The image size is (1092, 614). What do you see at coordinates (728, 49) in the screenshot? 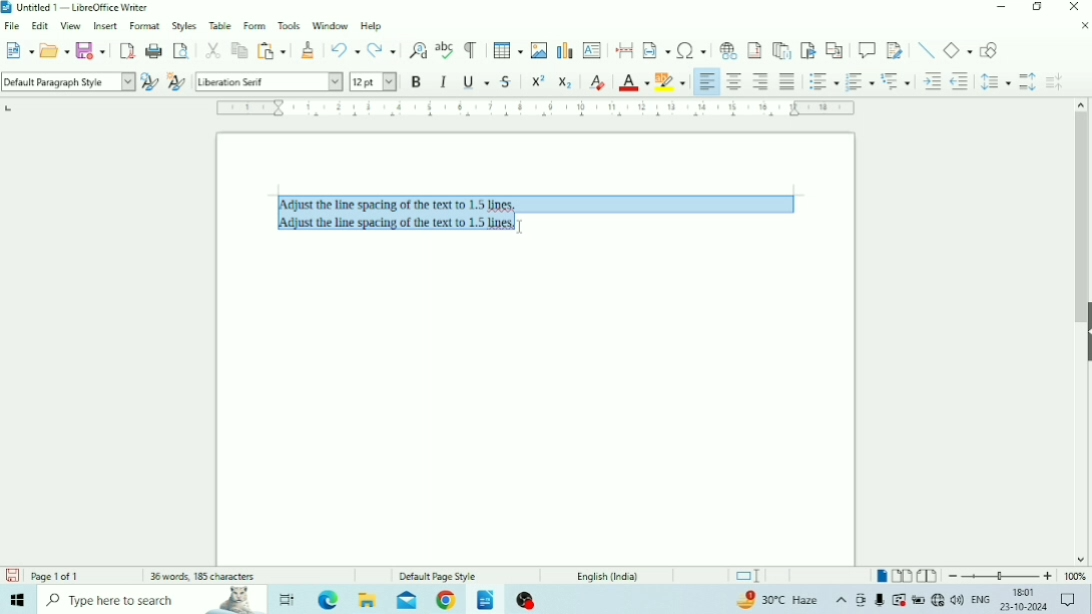
I see `Insert Hyperlink` at bounding box center [728, 49].